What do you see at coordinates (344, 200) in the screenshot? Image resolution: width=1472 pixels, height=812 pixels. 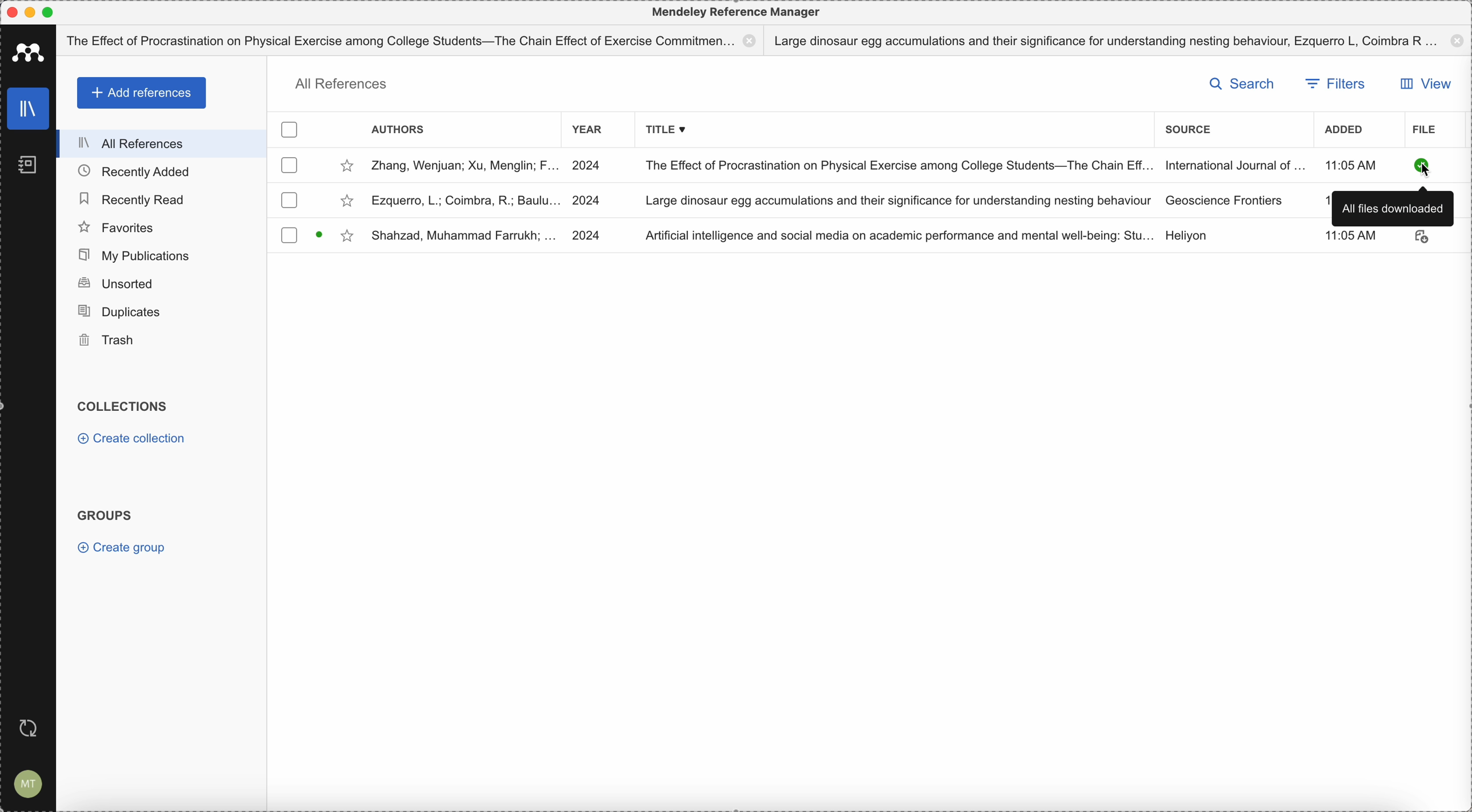 I see `favorite` at bounding box center [344, 200].